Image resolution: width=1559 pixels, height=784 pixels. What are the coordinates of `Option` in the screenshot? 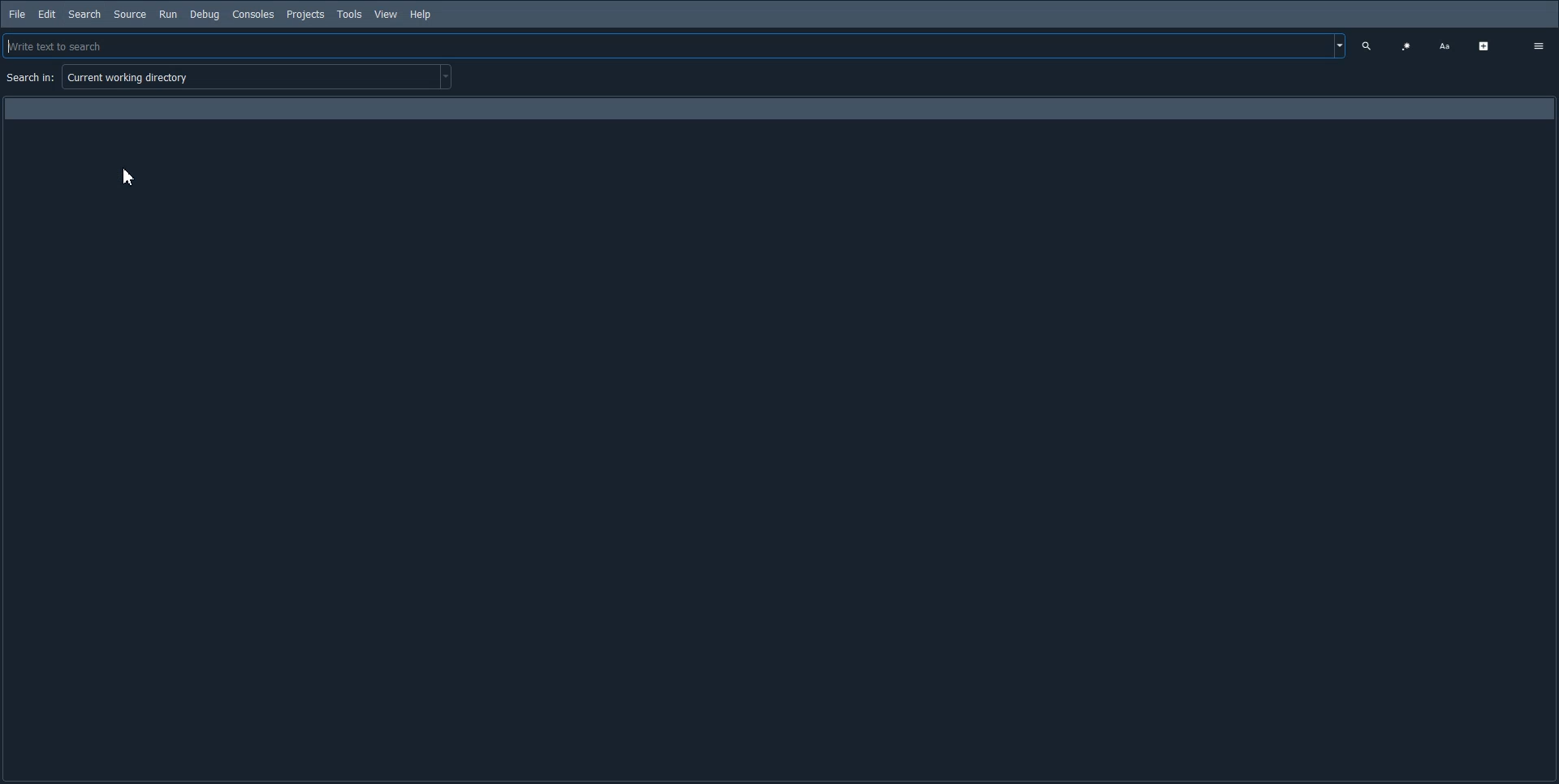 It's located at (1536, 45).